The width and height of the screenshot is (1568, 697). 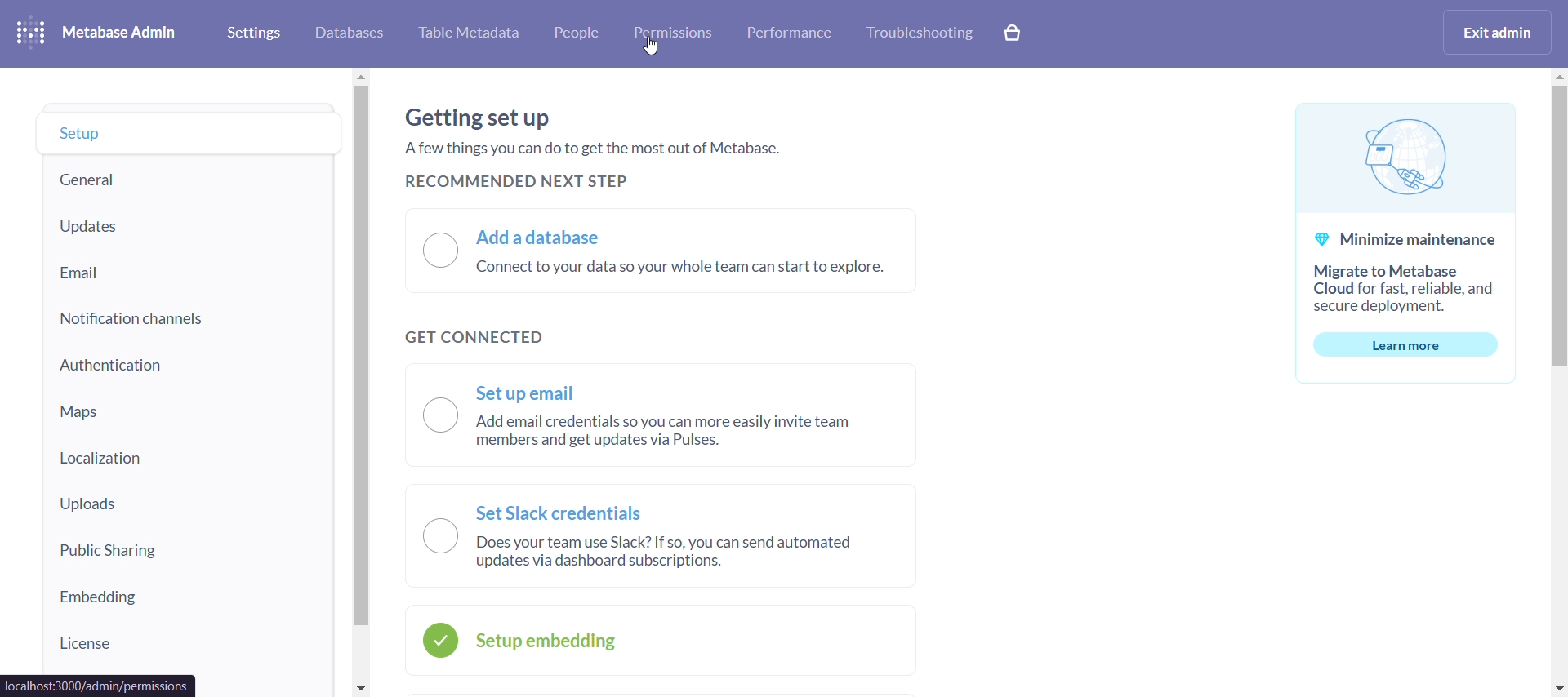 I want to click on general, so click(x=185, y=174).